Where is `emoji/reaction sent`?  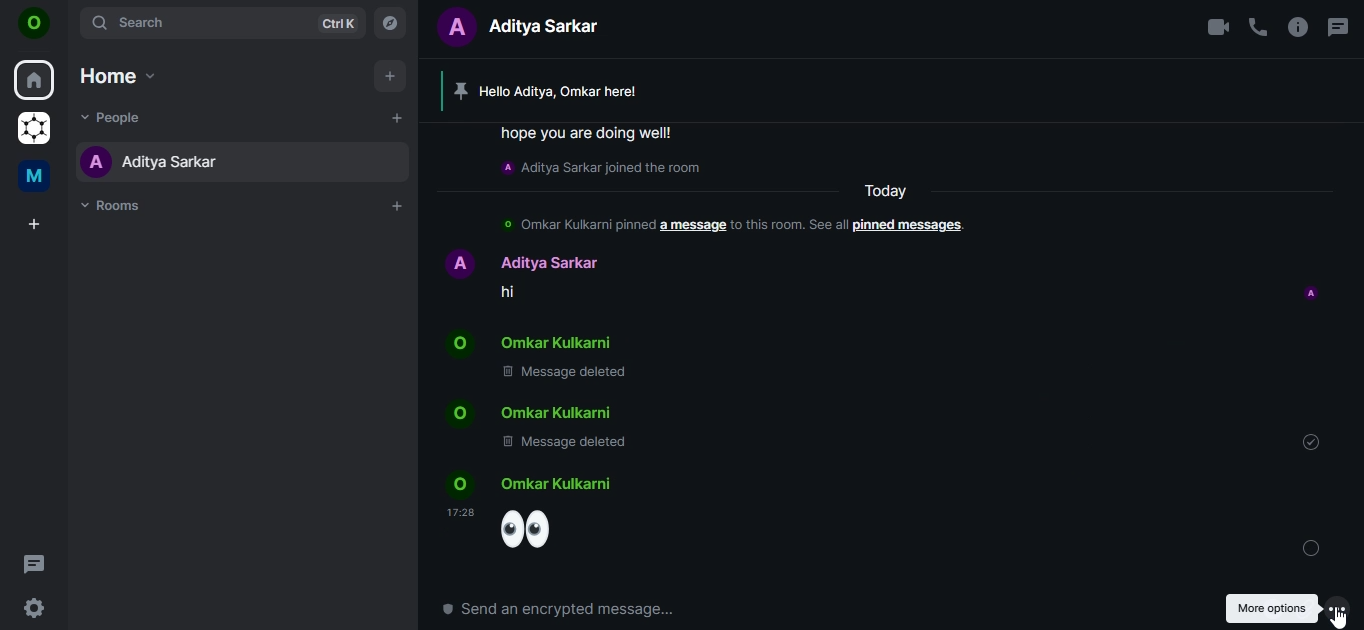
emoji/reaction sent is located at coordinates (540, 515).